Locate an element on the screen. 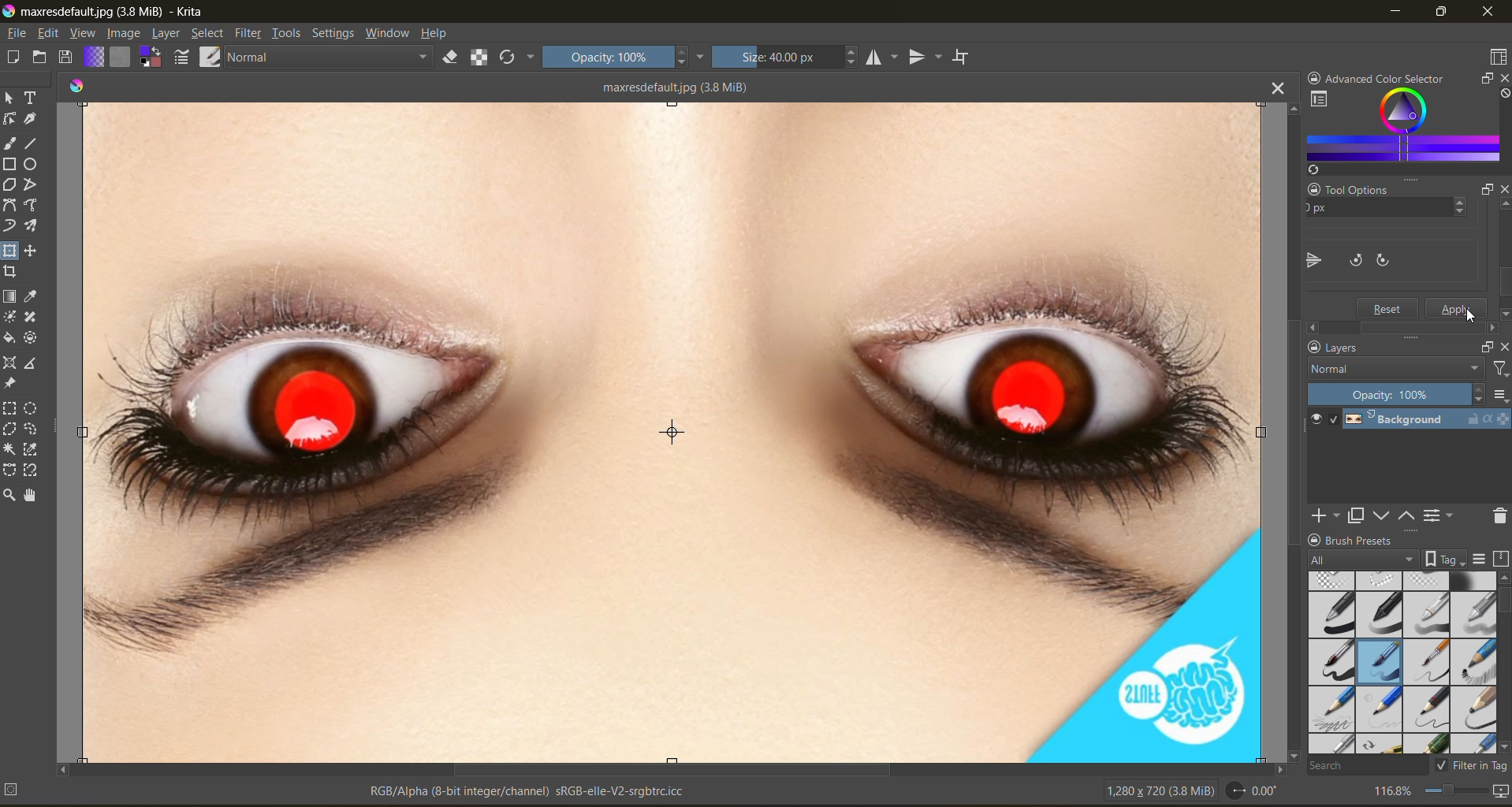  close is located at coordinates (1489, 12).